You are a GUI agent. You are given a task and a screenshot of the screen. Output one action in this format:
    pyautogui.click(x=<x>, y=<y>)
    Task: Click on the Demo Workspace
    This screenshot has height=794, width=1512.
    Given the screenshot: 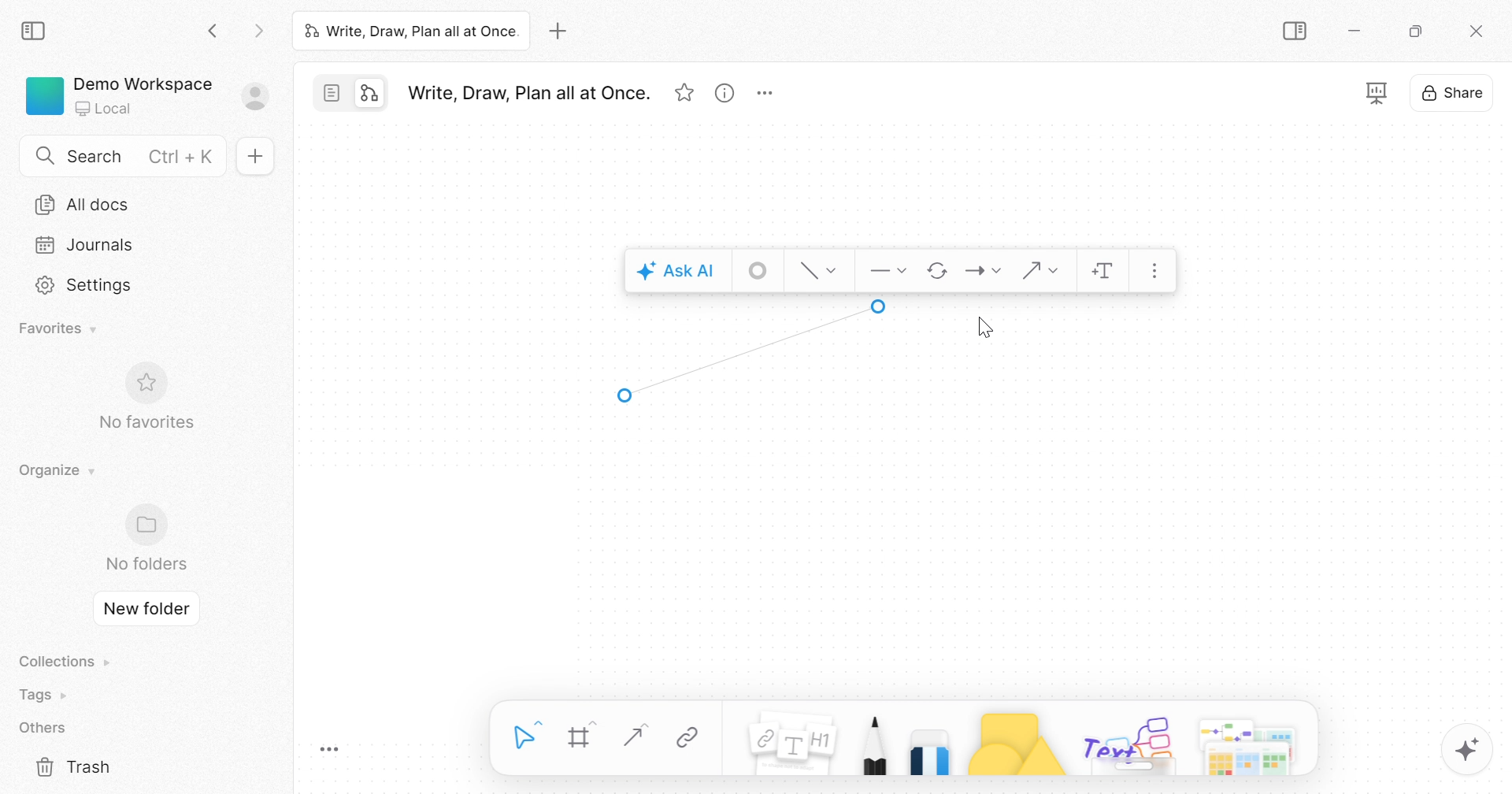 What is the action you would take?
    pyautogui.click(x=142, y=82)
    